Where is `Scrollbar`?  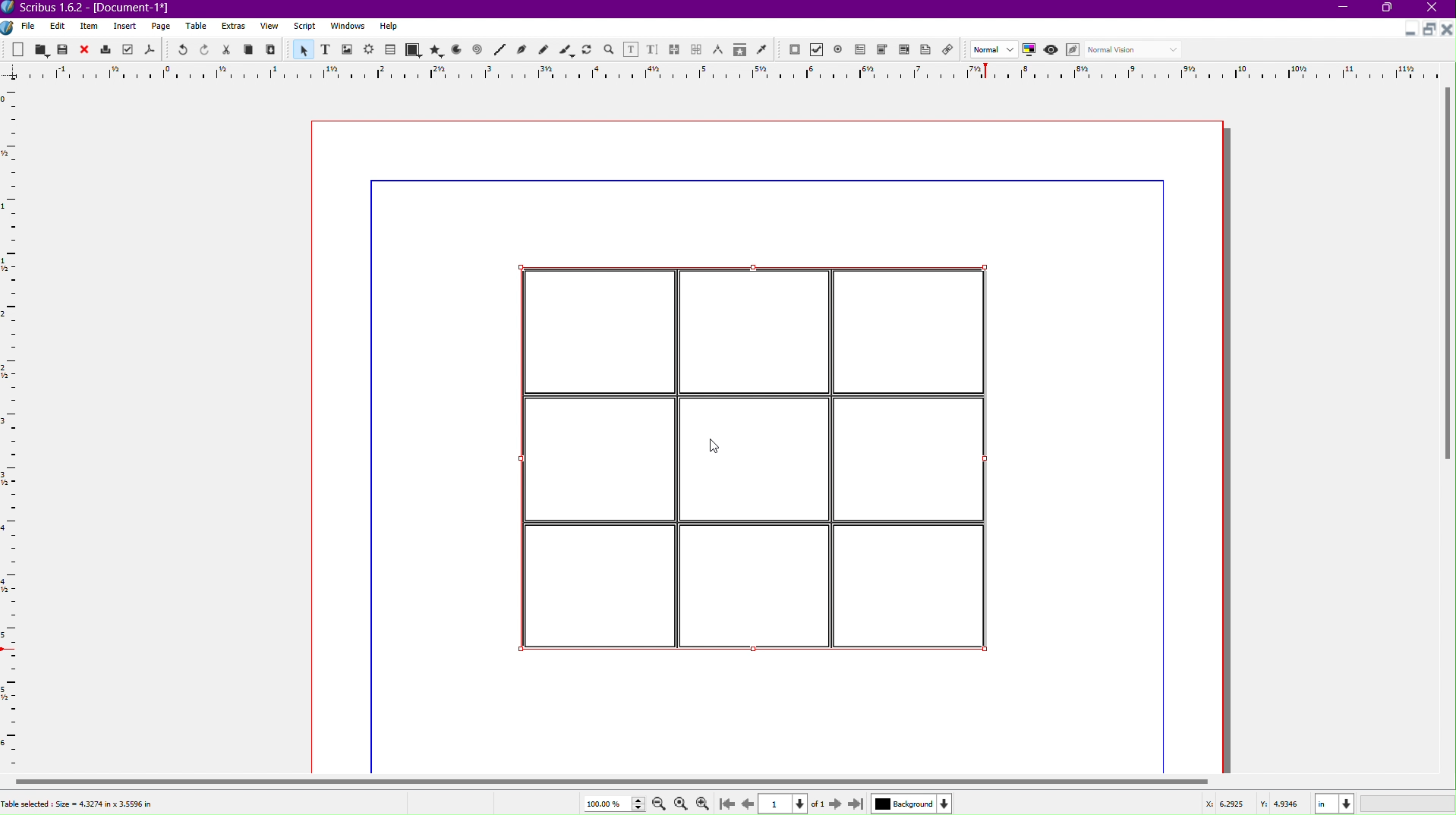
Scrollbar is located at coordinates (728, 782).